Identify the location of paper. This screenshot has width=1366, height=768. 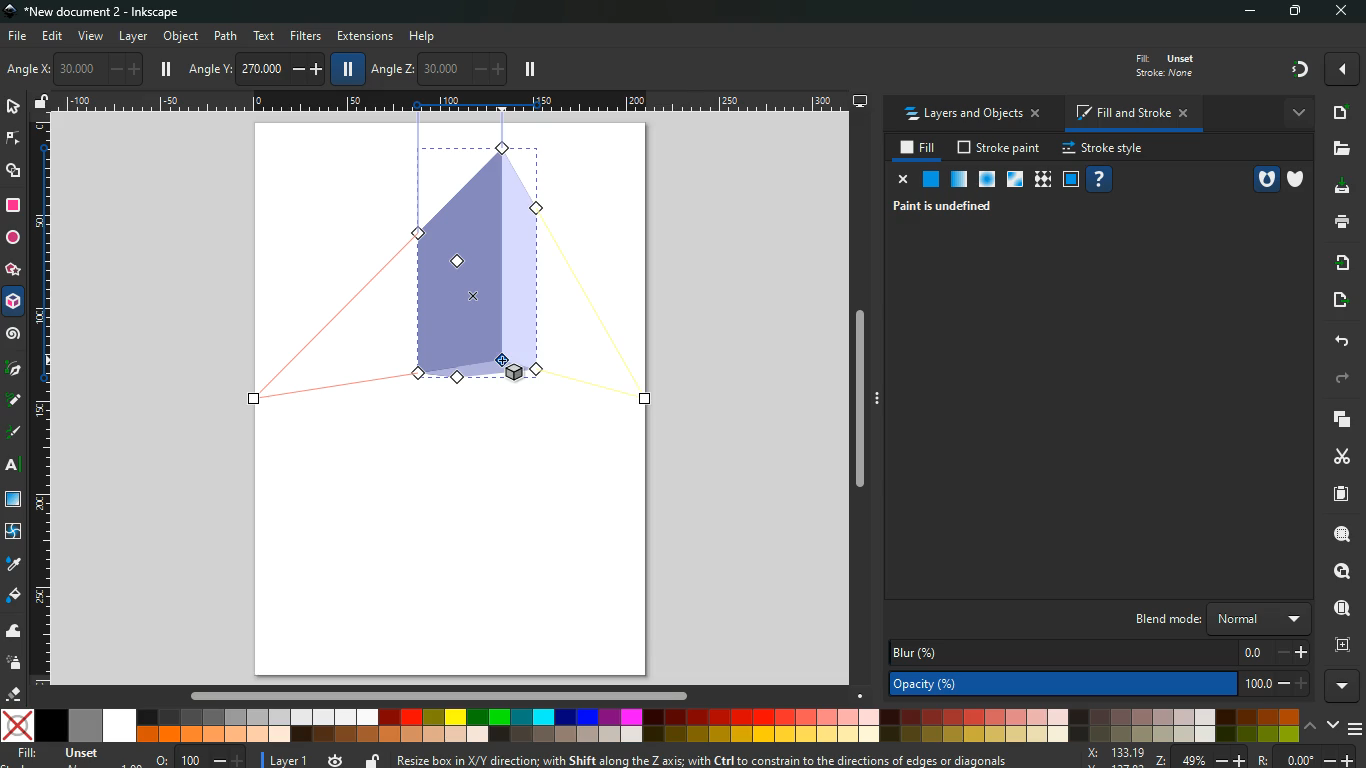
(1339, 494).